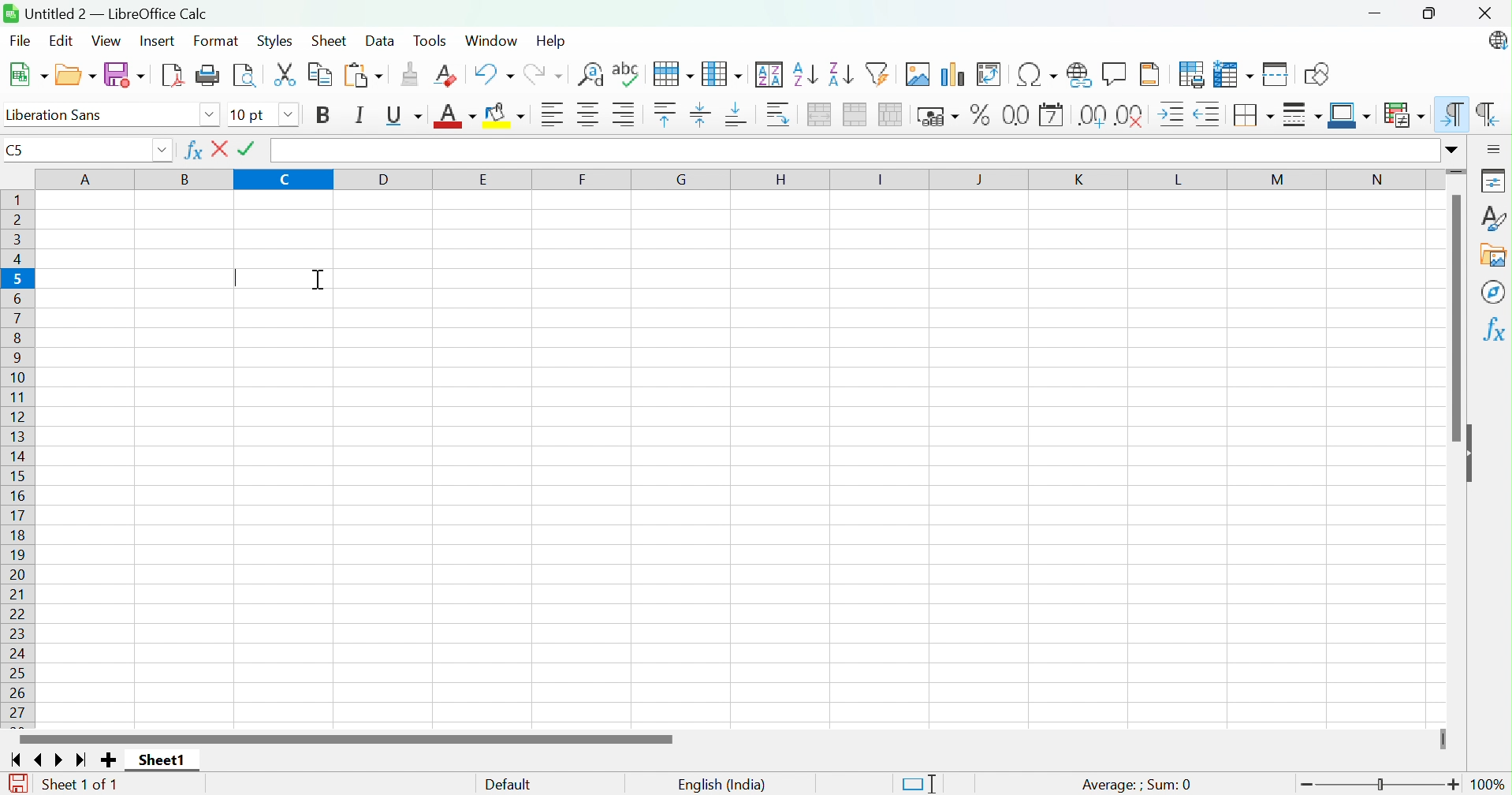  What do you see at coordinates (20, 43) in the screenshot?
I see `File` at bounding box center [20, 43].